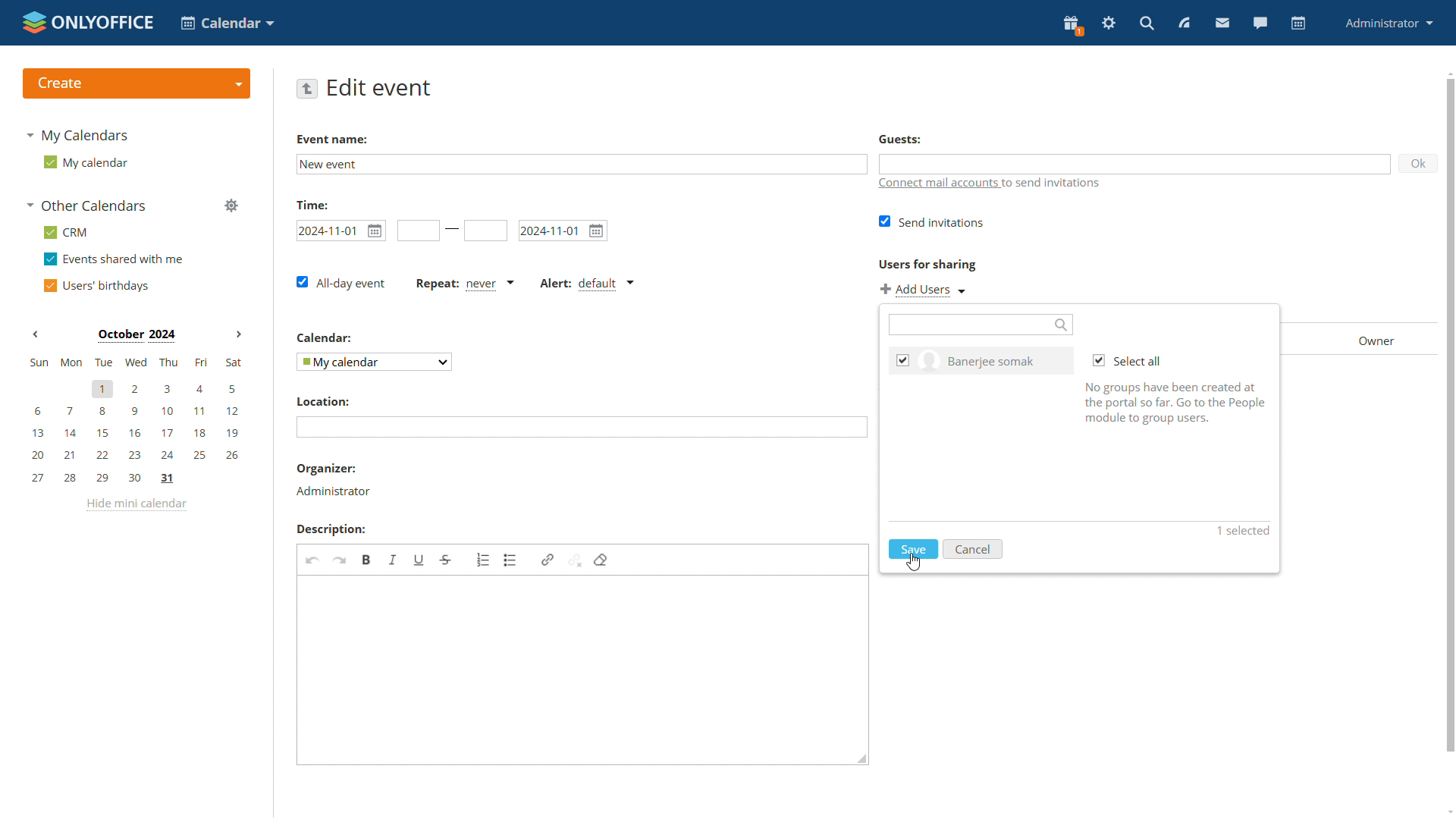 The height and width of the screenshot is (819, 1456). What do you see at coordinates (83, 137) in the screenshot?
I see `my calendars` at bounding box center [83, 137].